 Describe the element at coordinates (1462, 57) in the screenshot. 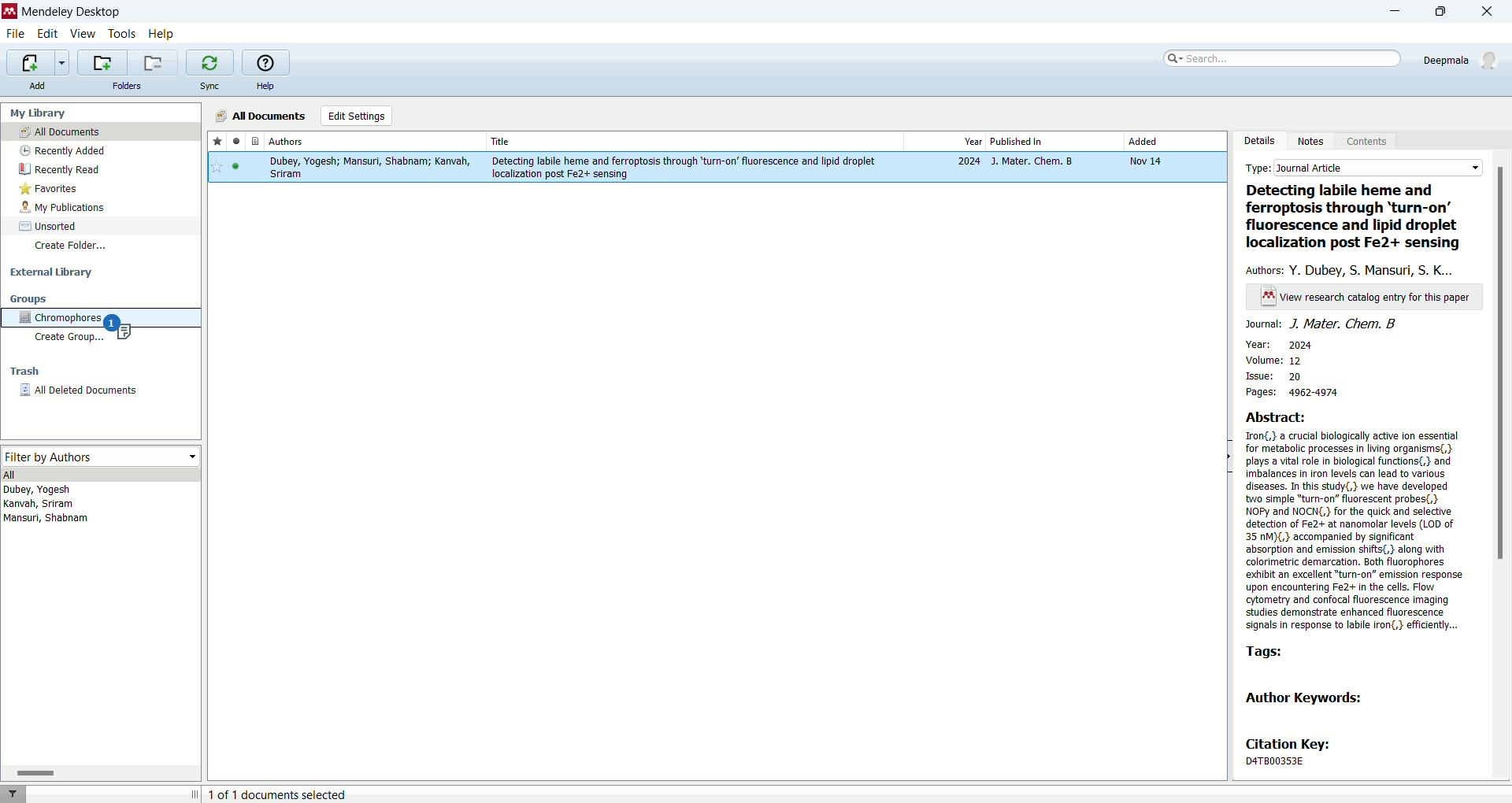

I see `Deepmala` at that location.